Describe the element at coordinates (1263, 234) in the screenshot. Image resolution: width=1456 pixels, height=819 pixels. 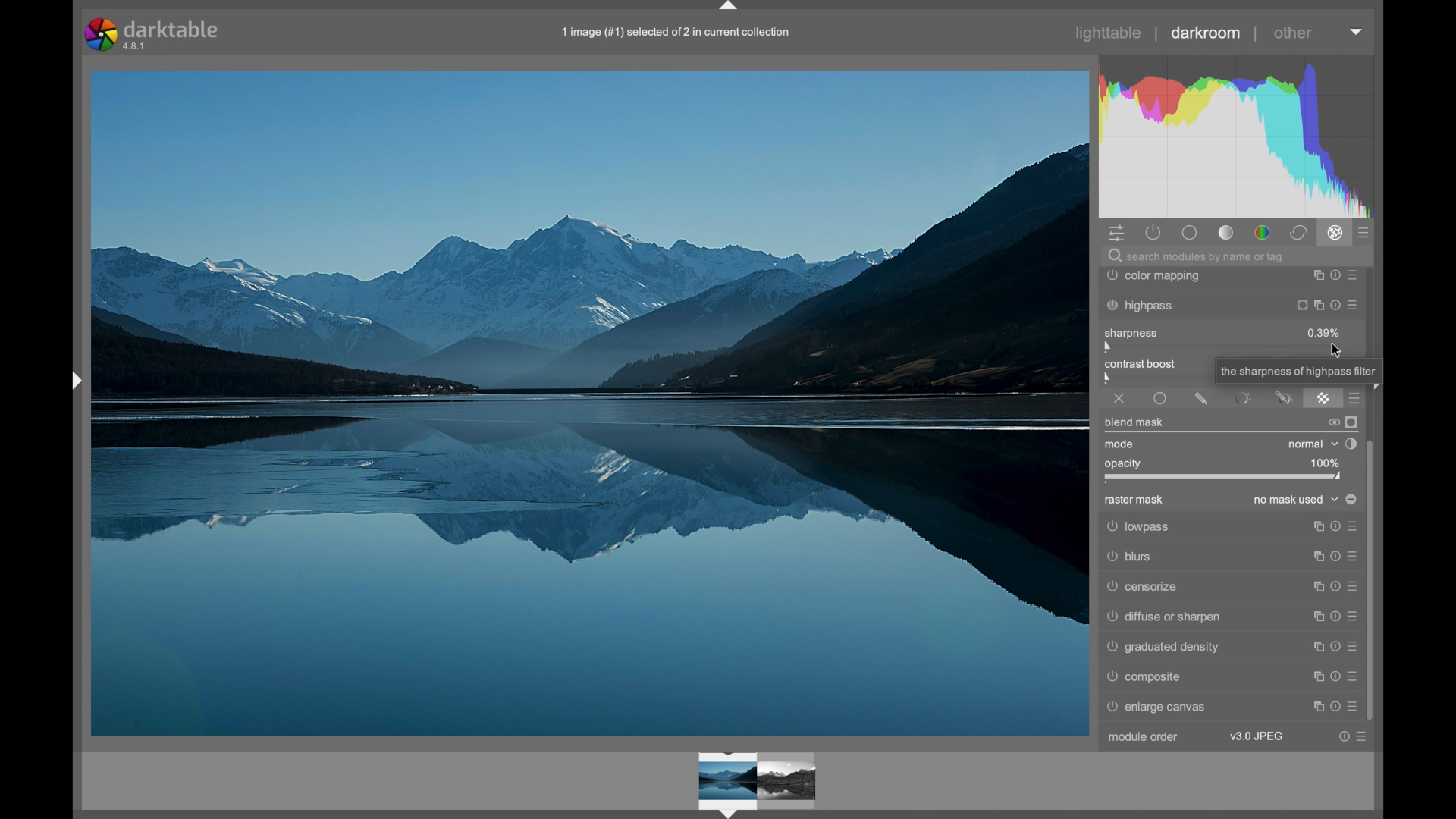
I see `color` at that location.